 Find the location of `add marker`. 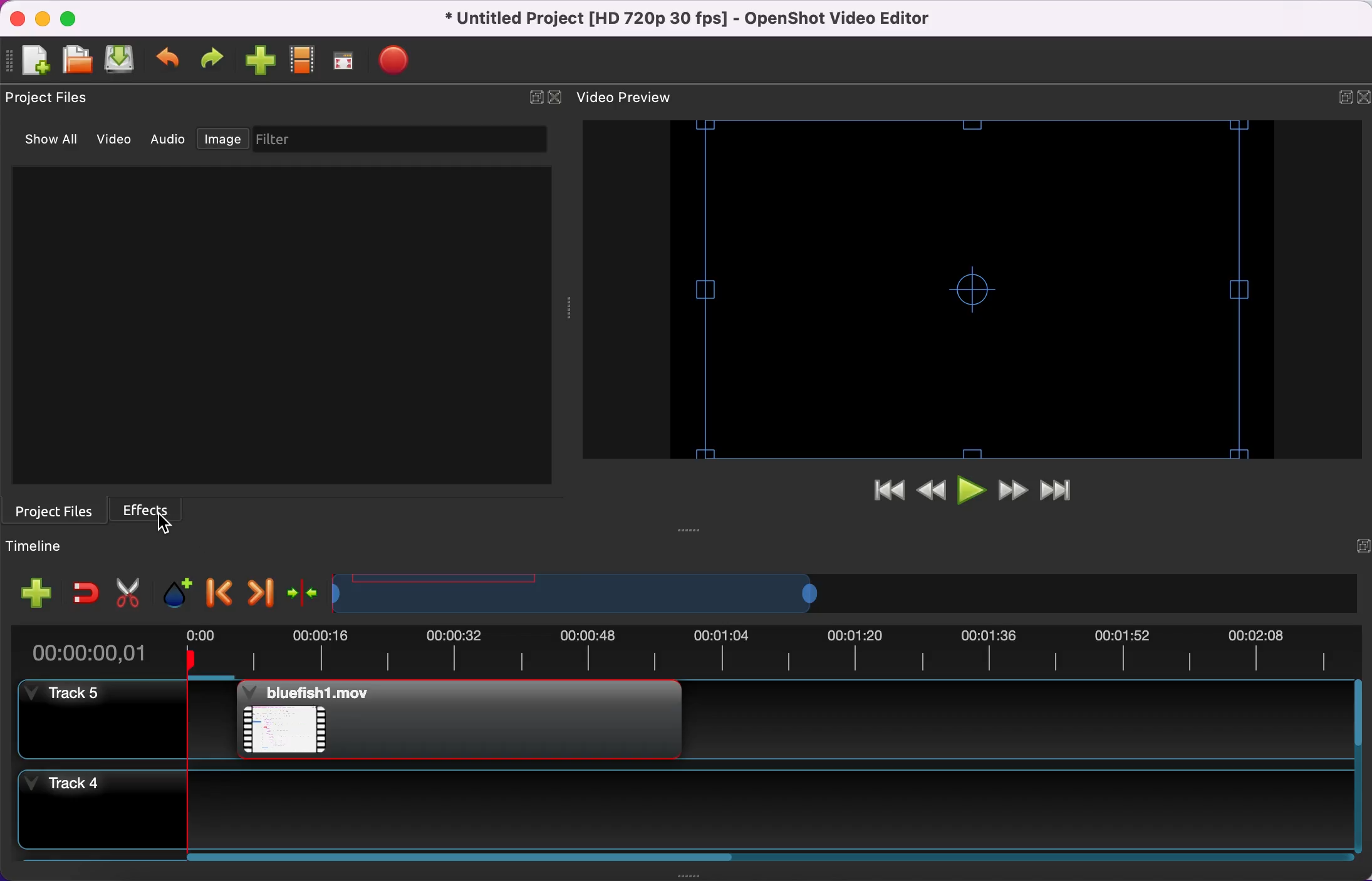

add marker is located at coordinates (173, 591).